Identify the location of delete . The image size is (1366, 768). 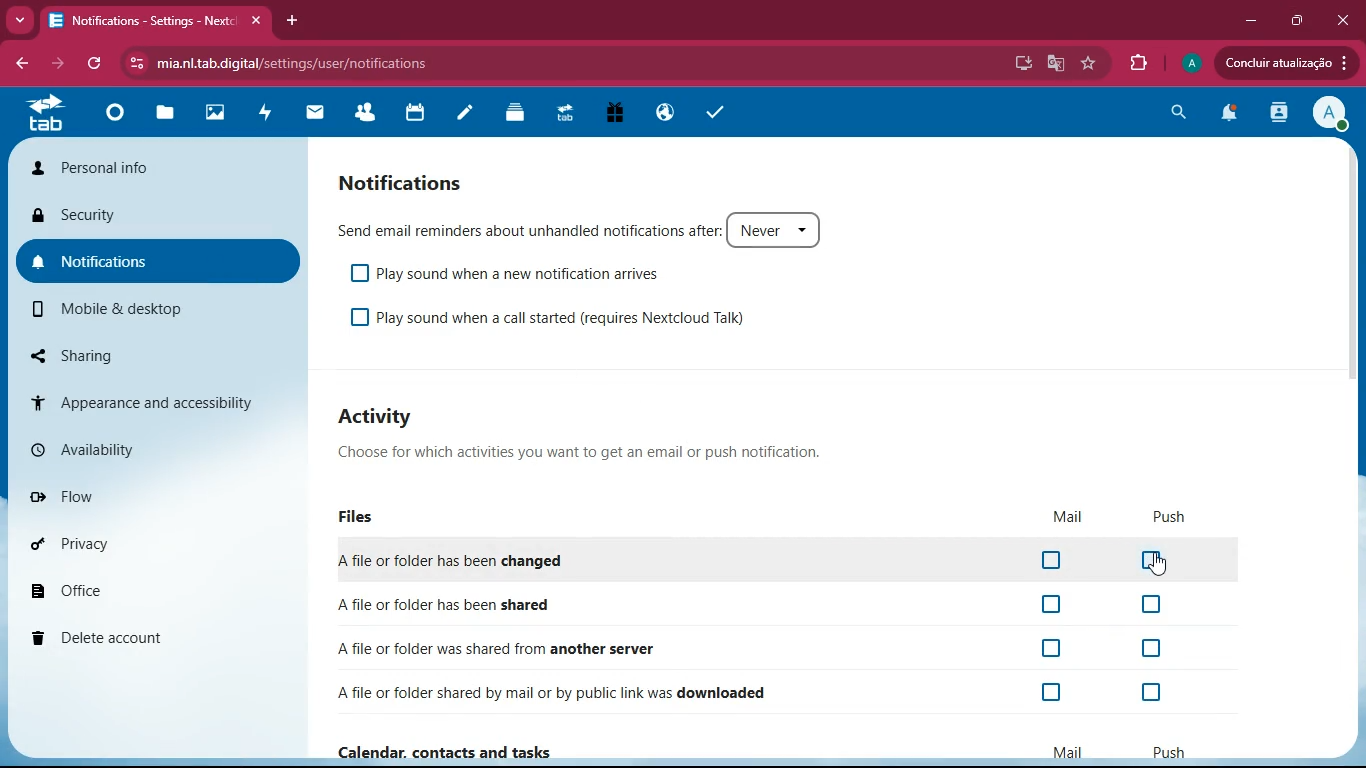
(146, 633).